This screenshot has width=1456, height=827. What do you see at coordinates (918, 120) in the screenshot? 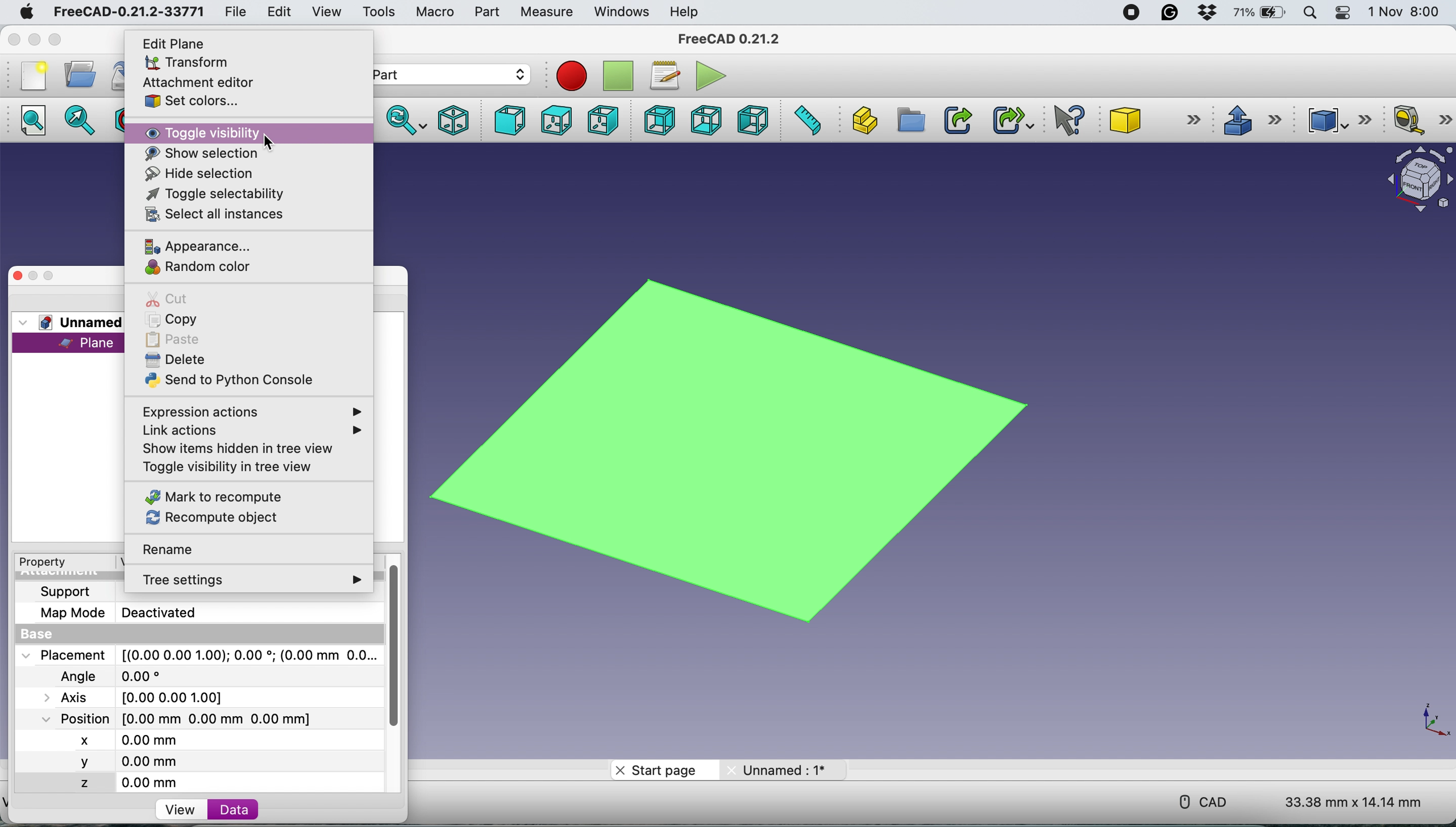
I see `create group` at bounding box center [918, 120].